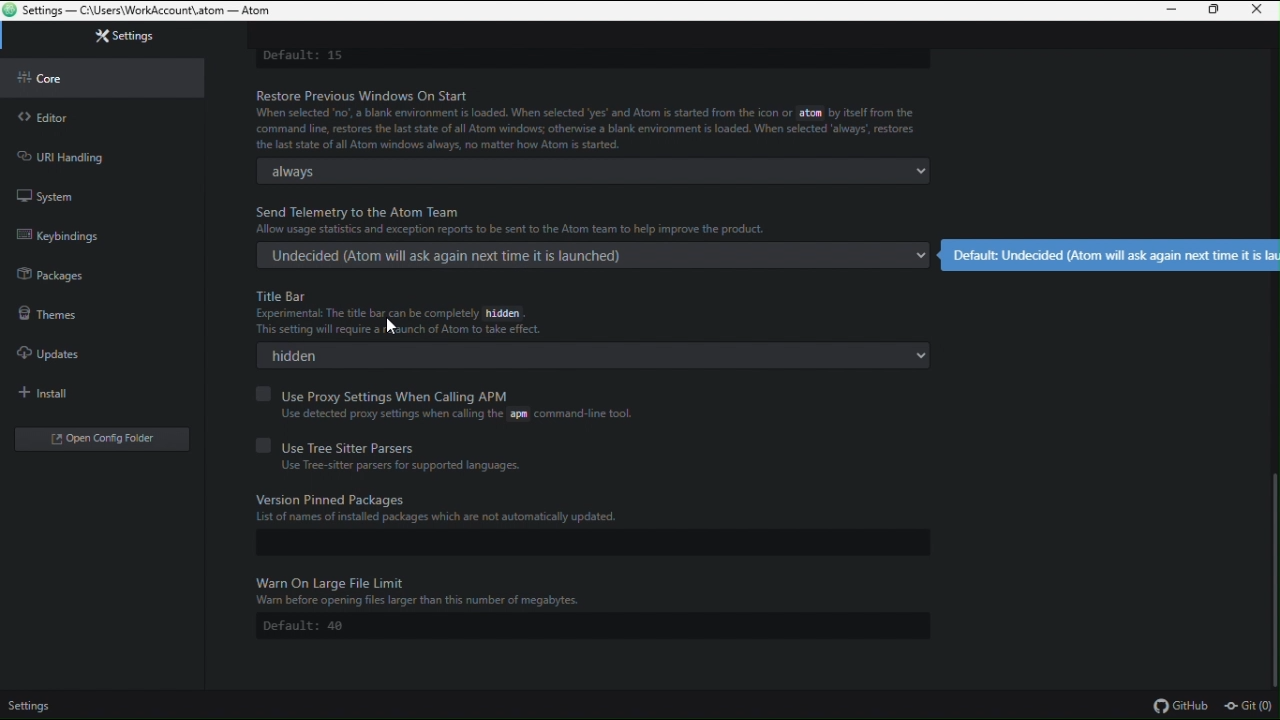  What do you see at coordinates (1272, 575) in the screenshot?
I see `Scroll bar` at bounding box center [1272, 575].